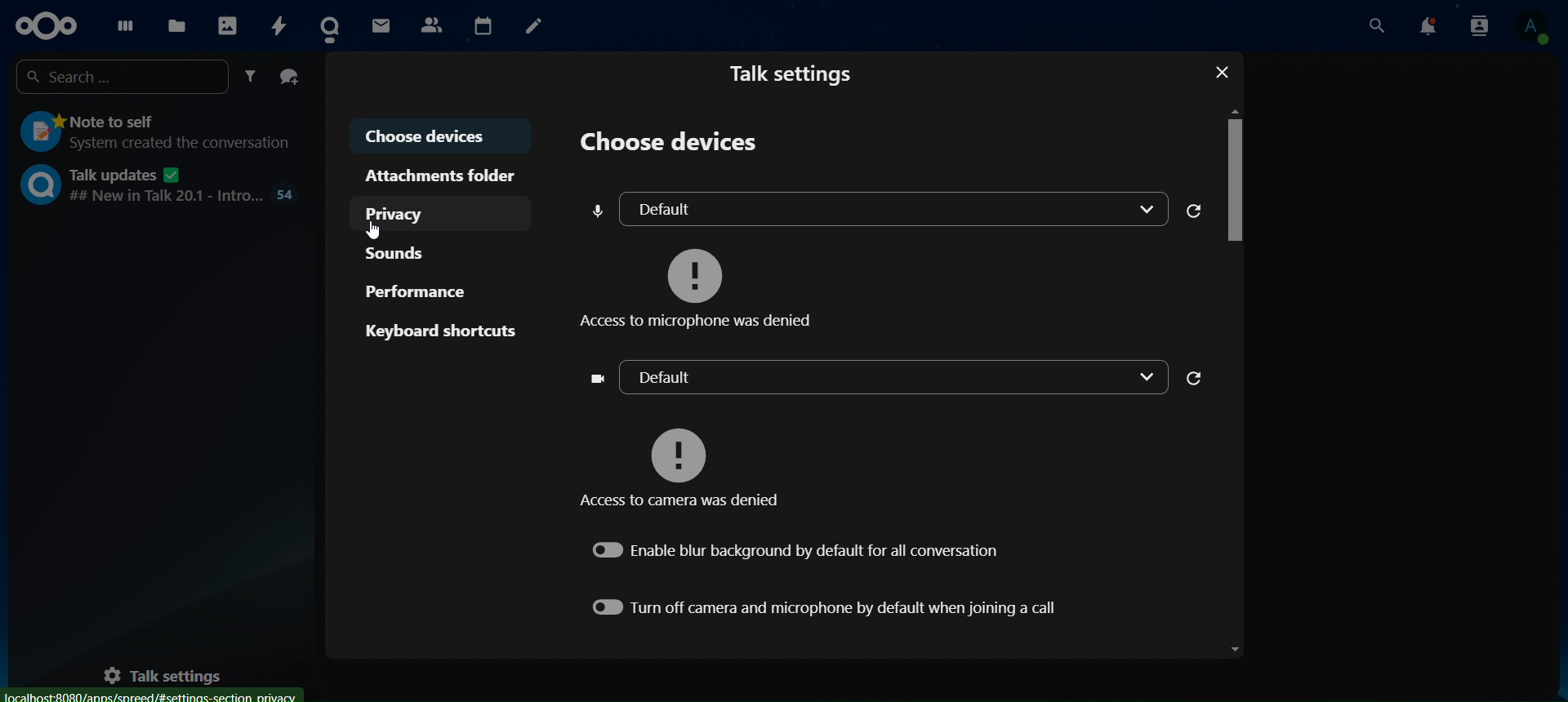 The image size is (1568, 702). Describe the element at coordinates (334, 26) in the screenshot. I see `contact` at that location.